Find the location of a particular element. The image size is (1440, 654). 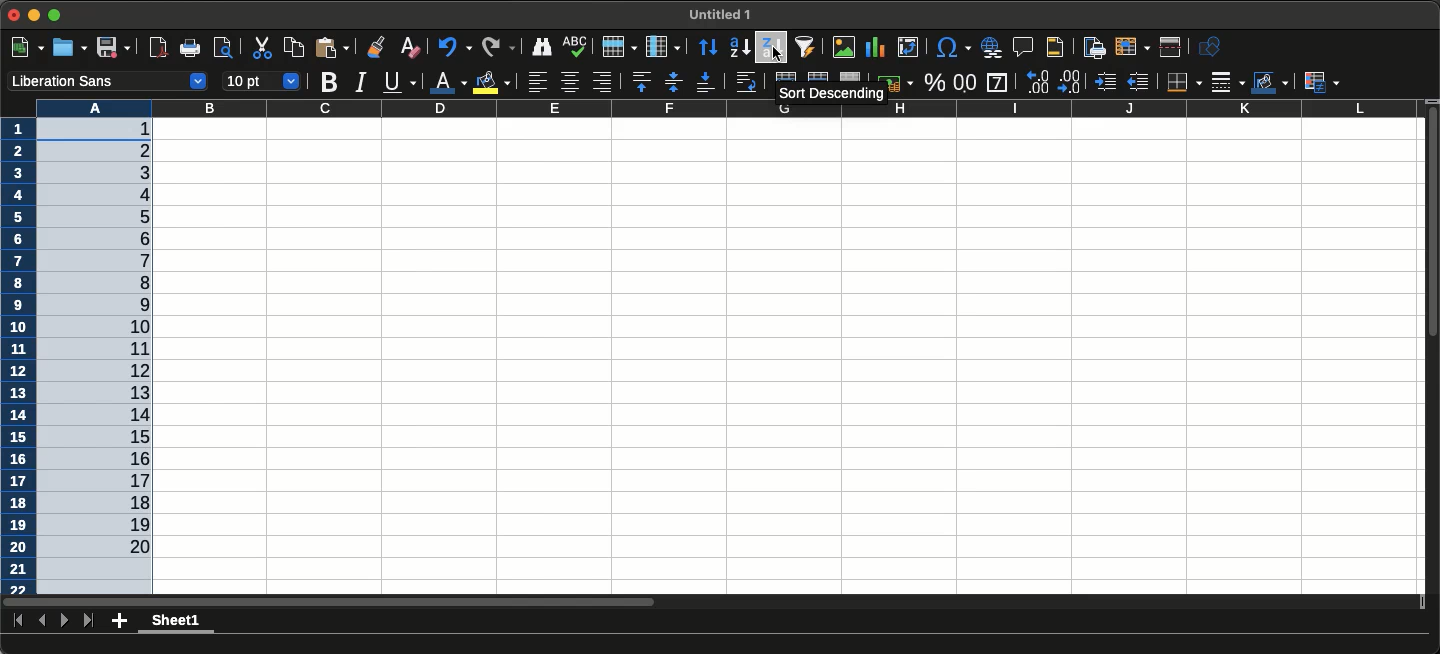

Underline is located at coordinates (399, 81).